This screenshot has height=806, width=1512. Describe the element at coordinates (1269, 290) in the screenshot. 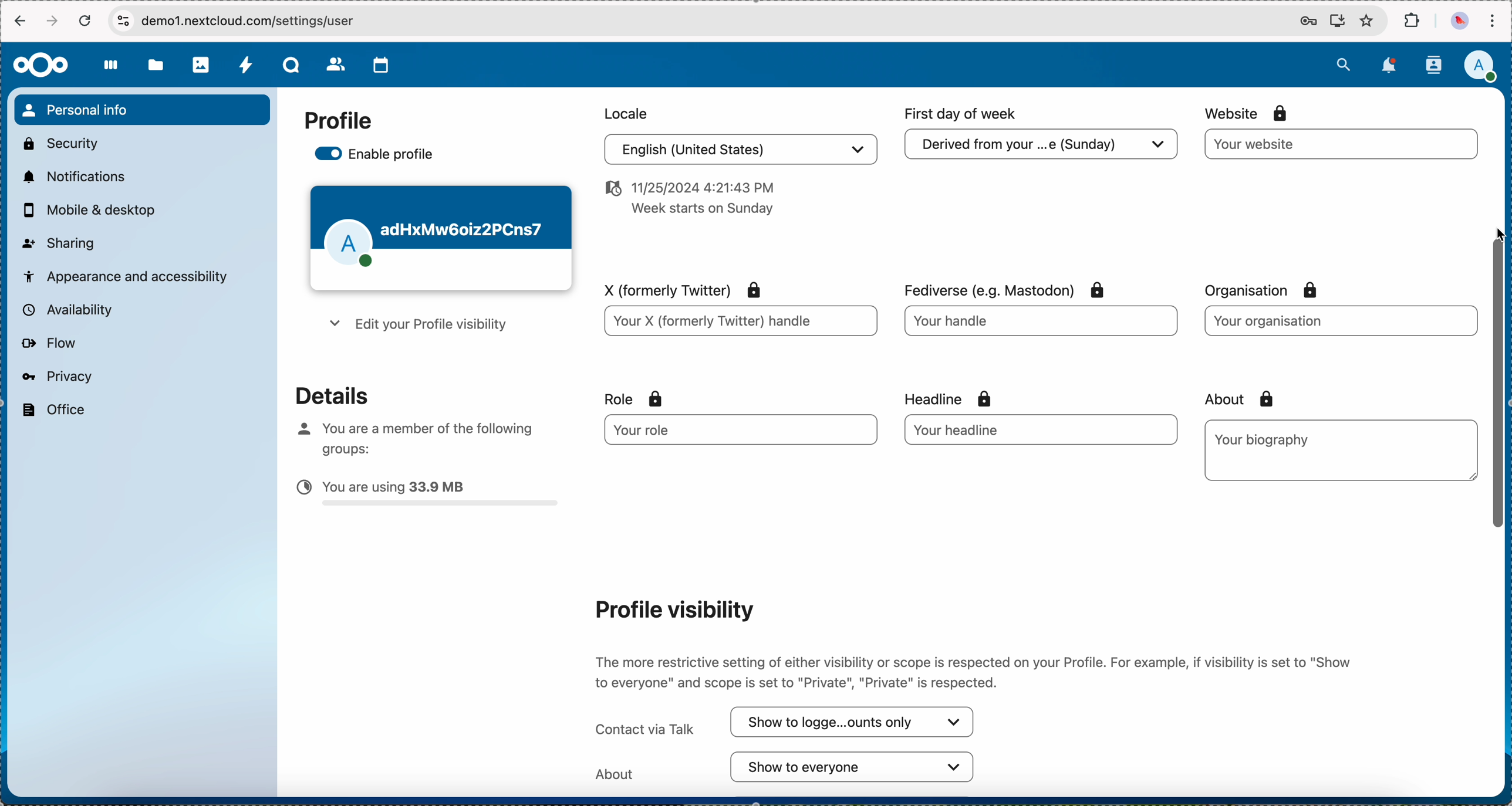

I see `organisation` at that location.